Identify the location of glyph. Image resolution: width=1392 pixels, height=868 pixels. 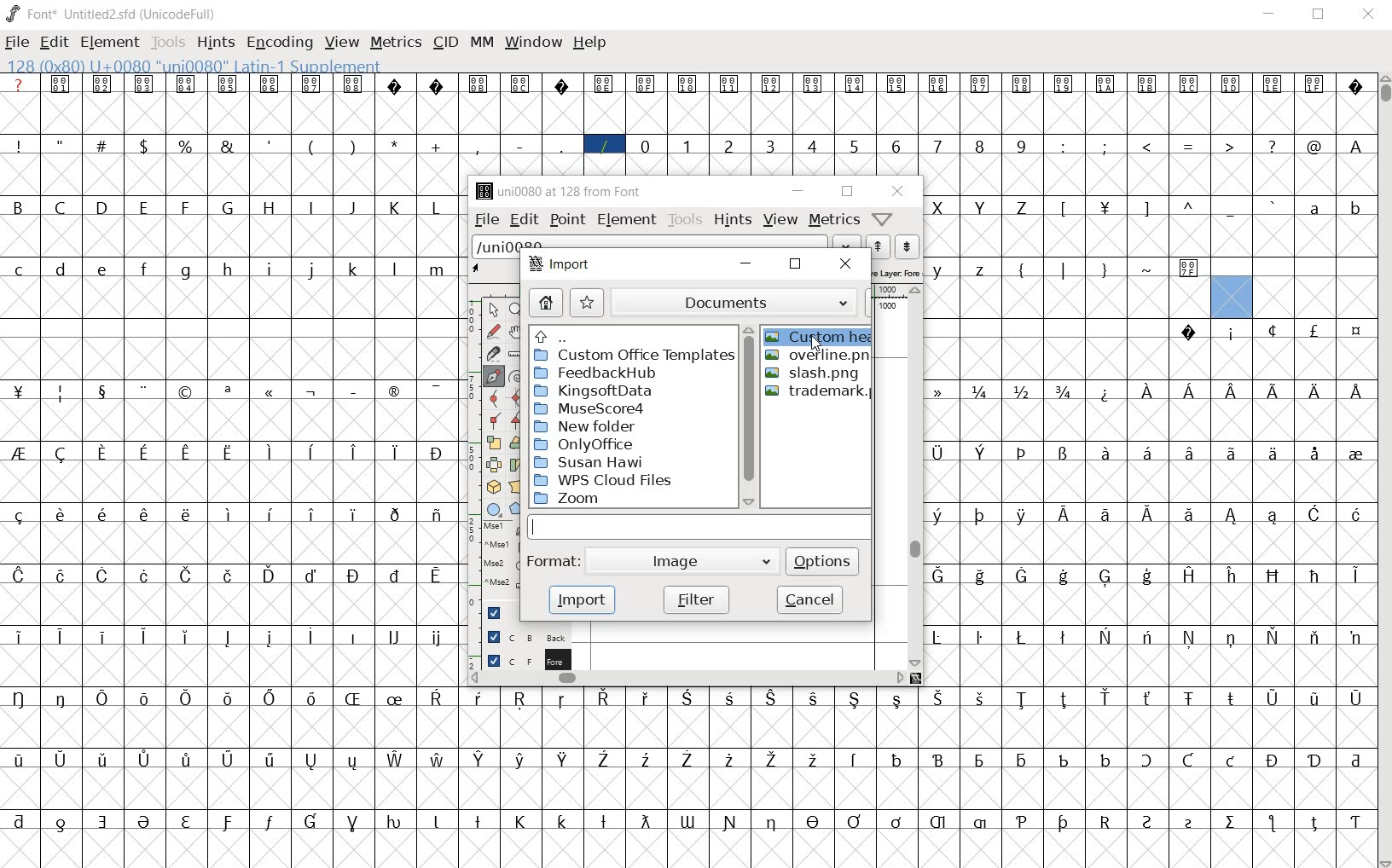
(60, 269).